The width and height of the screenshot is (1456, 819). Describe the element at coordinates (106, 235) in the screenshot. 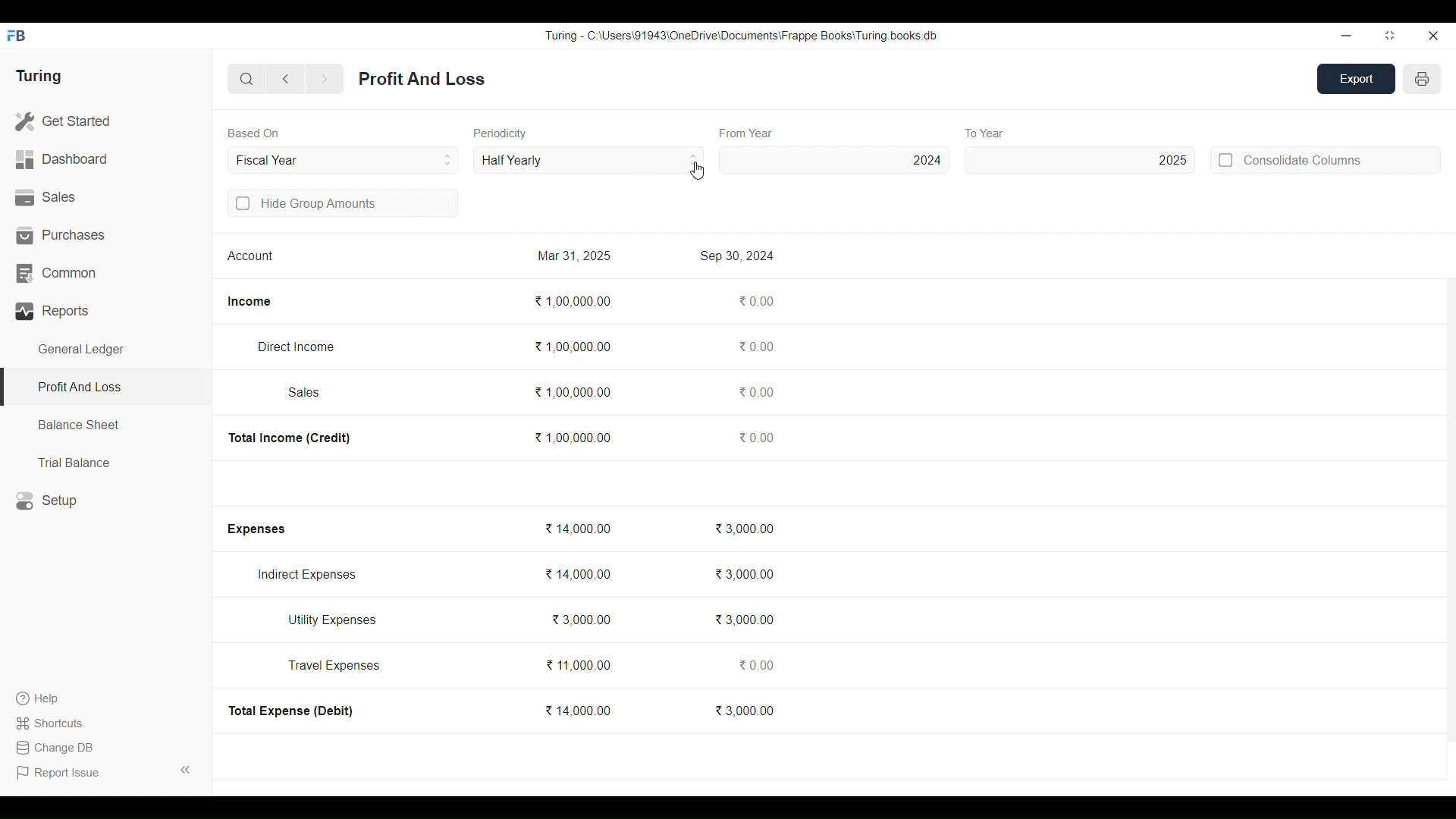

I see `Purchases` at that location.